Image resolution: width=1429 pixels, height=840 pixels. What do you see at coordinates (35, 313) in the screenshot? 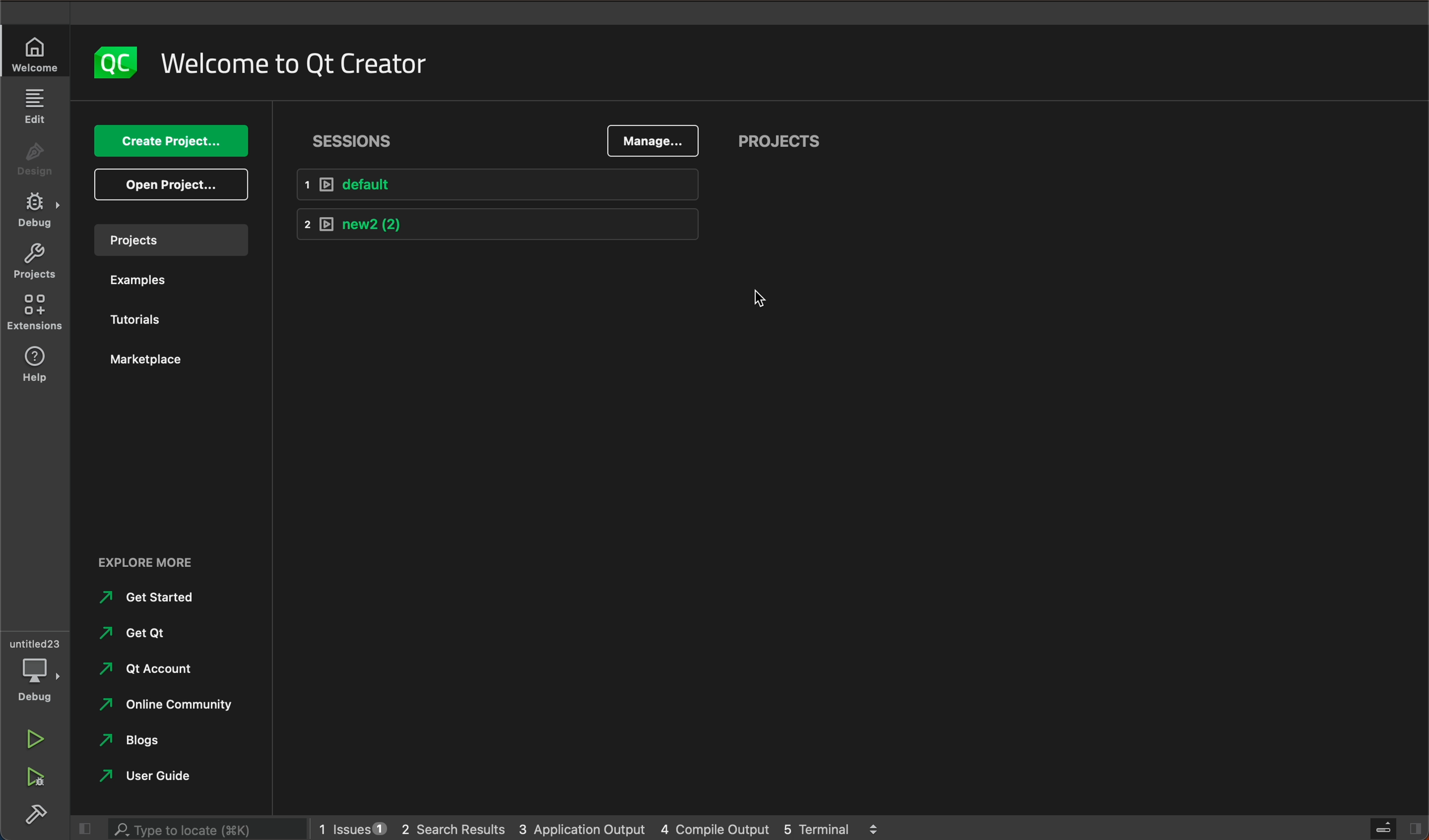
I see `extensions` at bounding box center [35, 313].